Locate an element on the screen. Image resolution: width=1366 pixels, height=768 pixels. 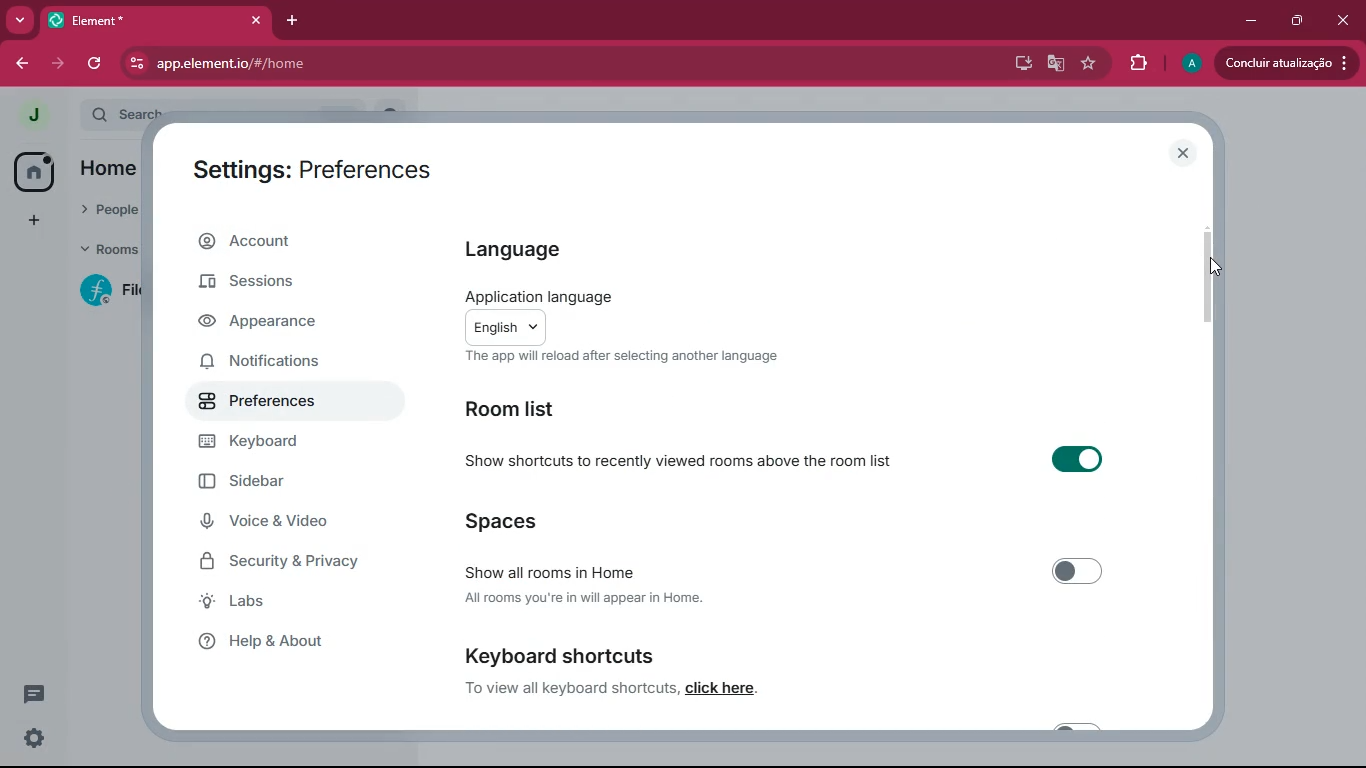
mouse down is located at coordinates (1216, 267).